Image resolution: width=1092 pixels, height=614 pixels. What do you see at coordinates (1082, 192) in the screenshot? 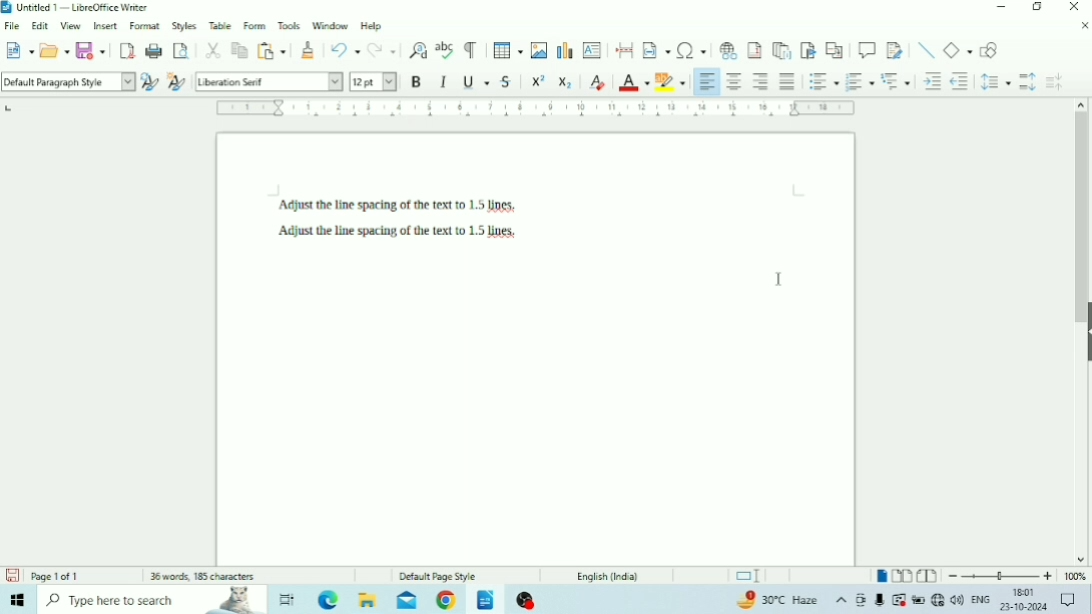
I see `Vertical scrollbar` at bounding box center [1082, 192].